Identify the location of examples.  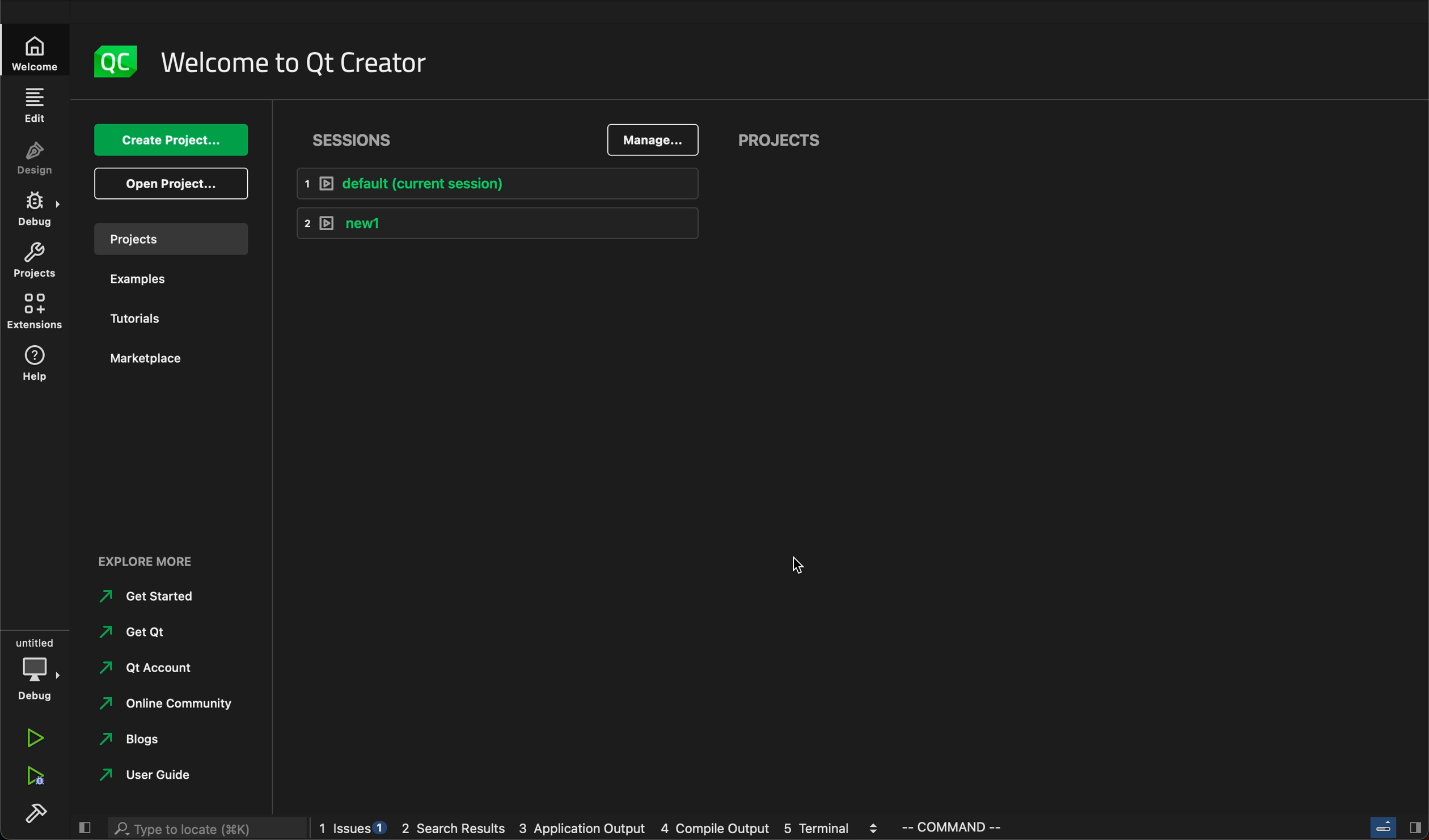
(146, 280).